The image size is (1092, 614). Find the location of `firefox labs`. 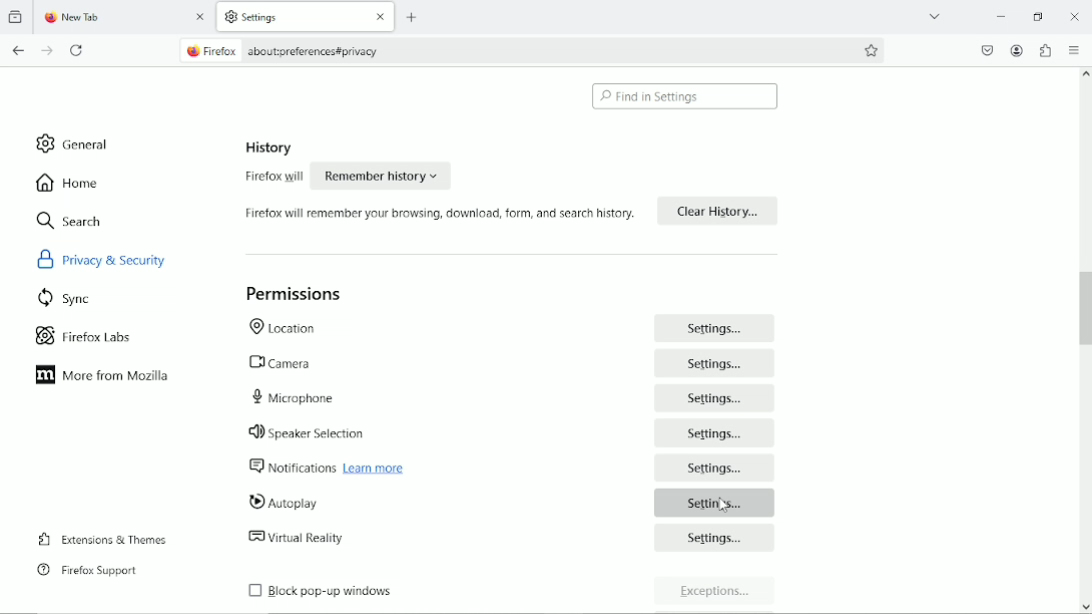

firefox labs is located at coordinates (84, 334).